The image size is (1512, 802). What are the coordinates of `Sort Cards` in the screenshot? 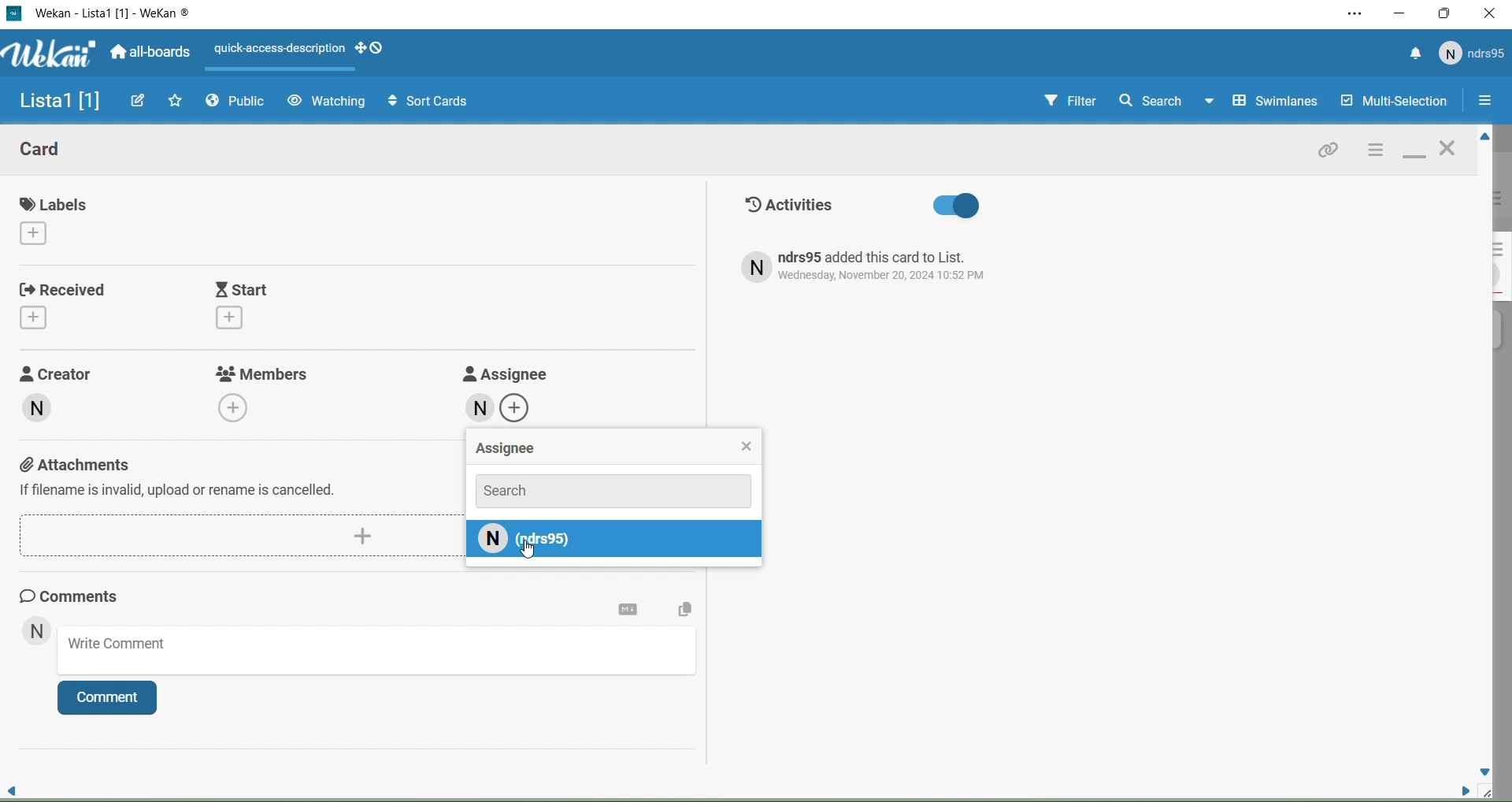 It's located at (421, 100).